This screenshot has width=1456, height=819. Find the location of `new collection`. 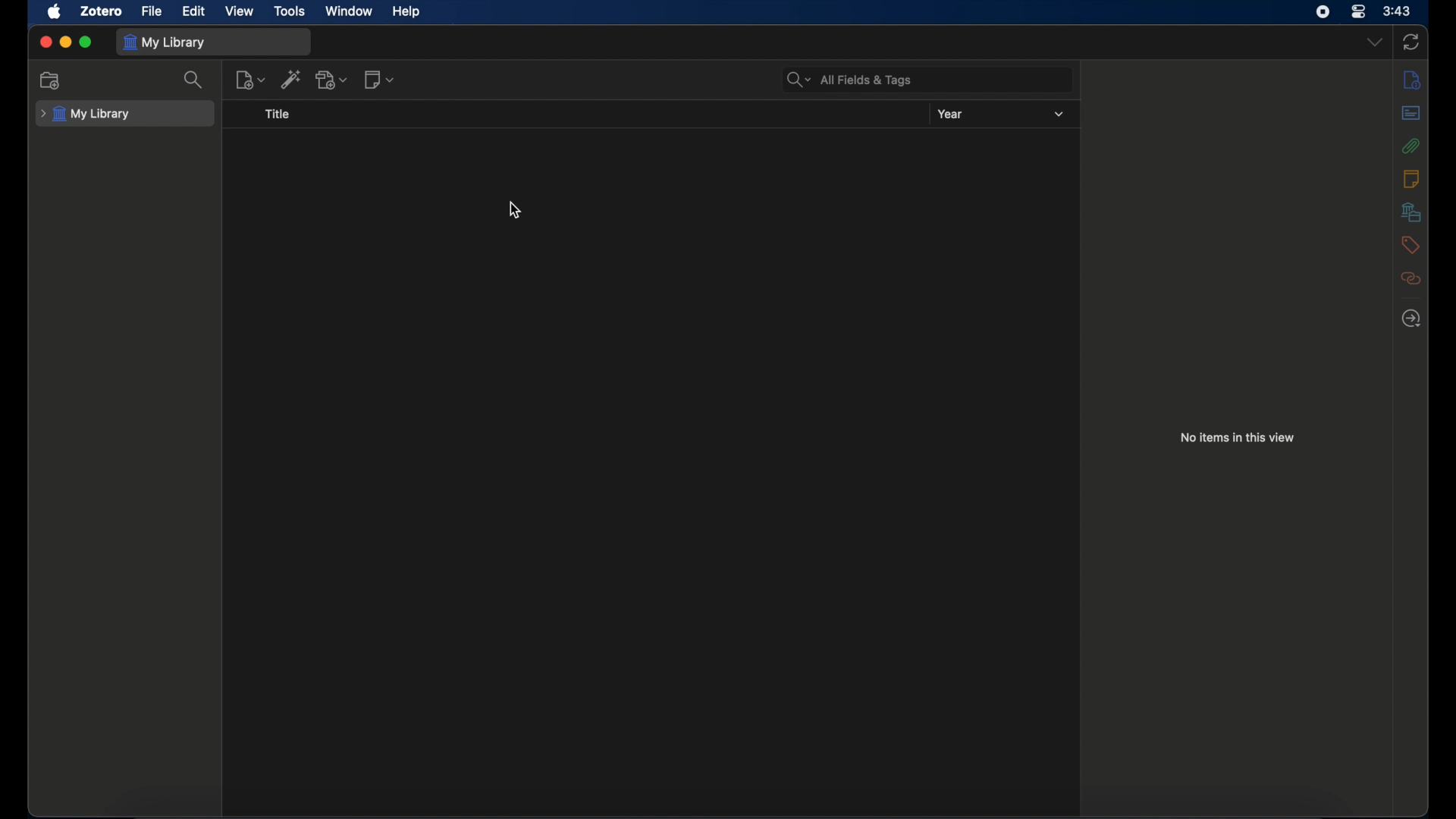

new collection is located at coordinates (52, 80).